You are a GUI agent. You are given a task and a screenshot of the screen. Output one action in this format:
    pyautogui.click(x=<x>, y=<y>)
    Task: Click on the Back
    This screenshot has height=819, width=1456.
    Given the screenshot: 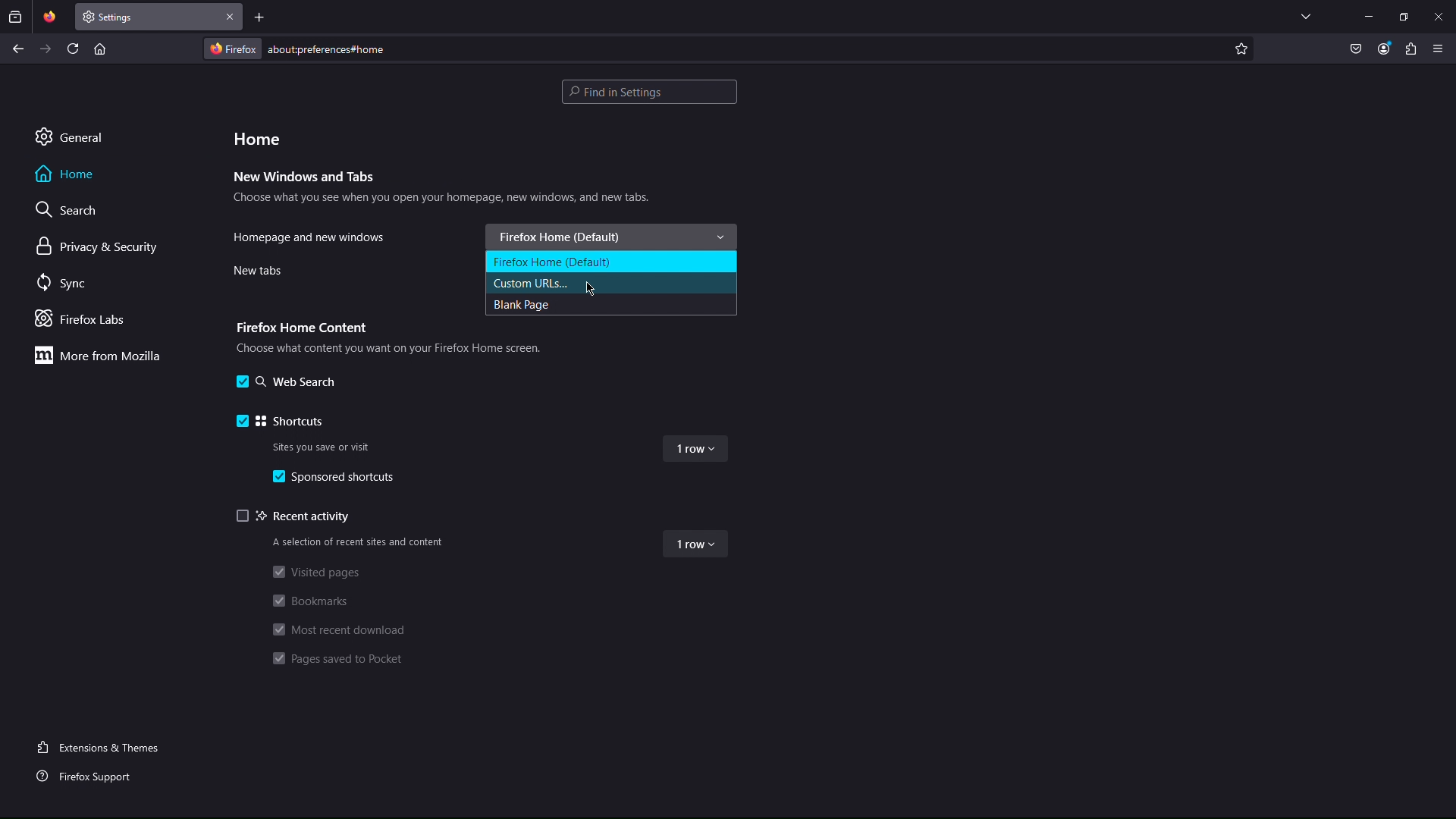 What is the action you would take?
    pyautogui.click(x=18, y=49)
    